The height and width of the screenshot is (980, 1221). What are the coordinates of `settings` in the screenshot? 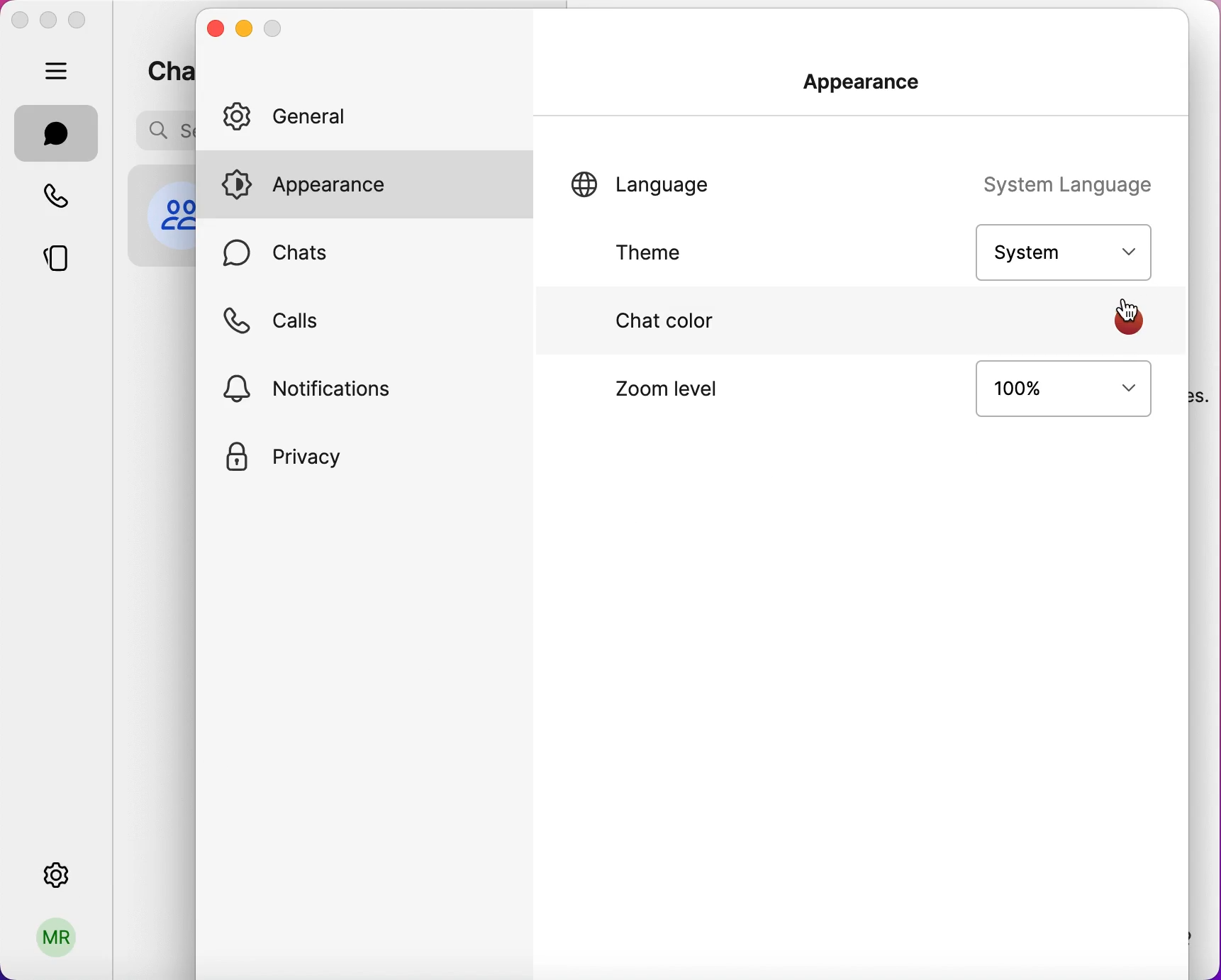 It's located at (60, 871).